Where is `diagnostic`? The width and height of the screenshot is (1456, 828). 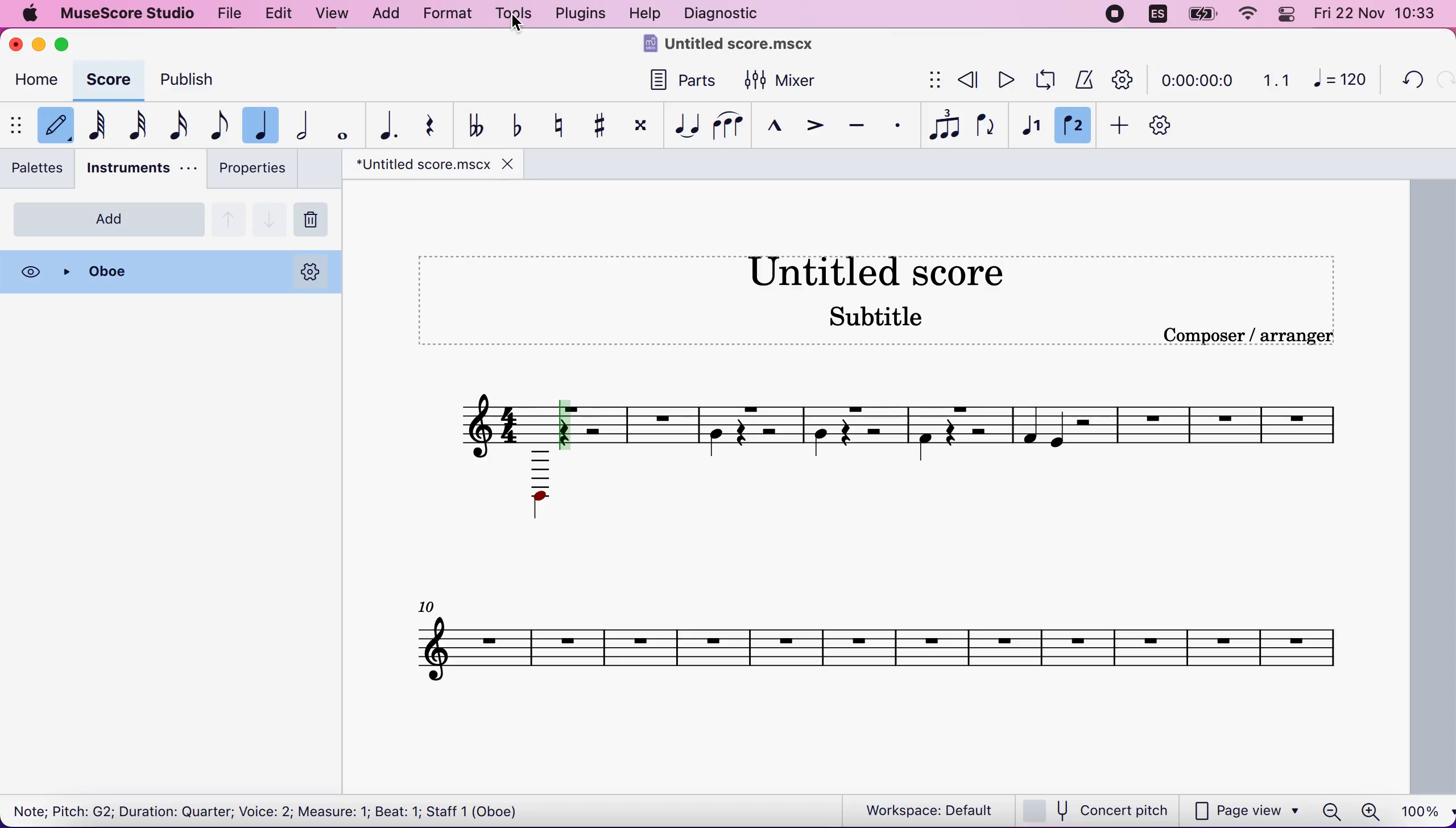 diagnostic is located at coordinates (729, 14).